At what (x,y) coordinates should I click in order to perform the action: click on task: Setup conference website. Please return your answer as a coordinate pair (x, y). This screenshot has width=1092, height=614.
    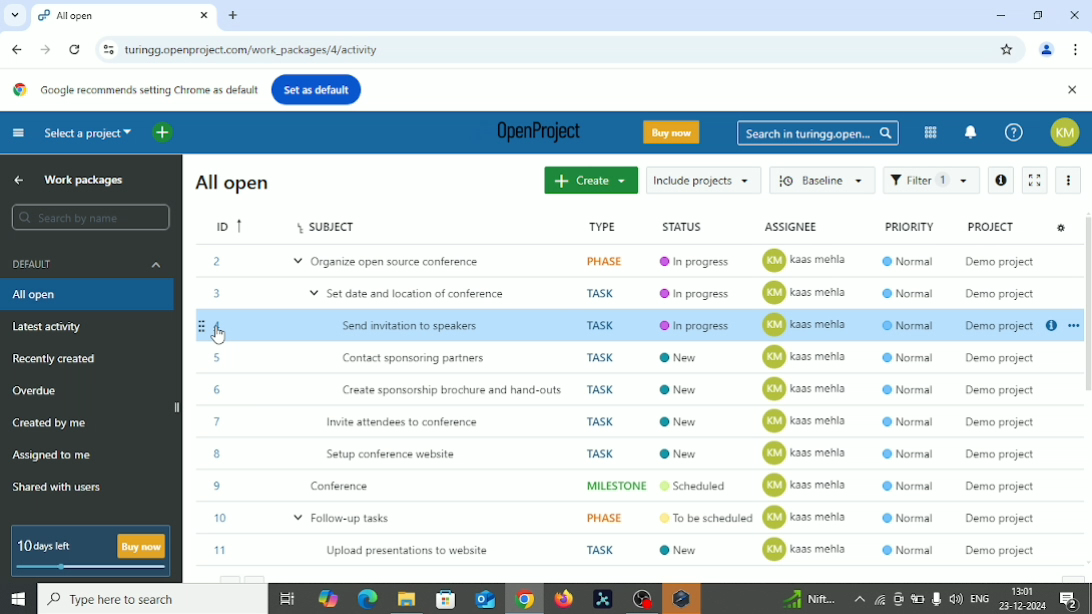
    Looking at the image, I should click on (633, 453).